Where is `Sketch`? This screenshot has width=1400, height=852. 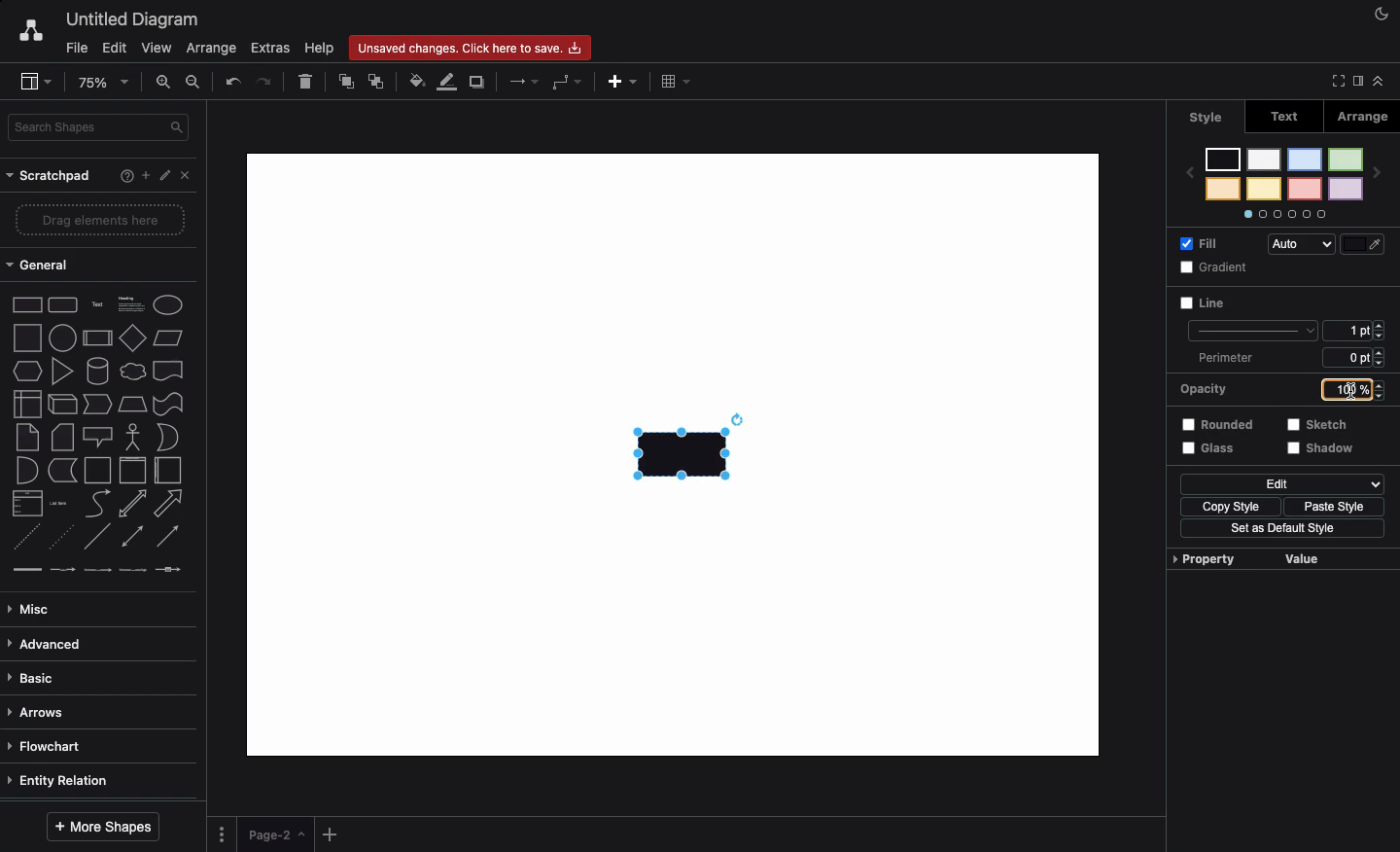
Sketch is located at coordinates (1319, 424).